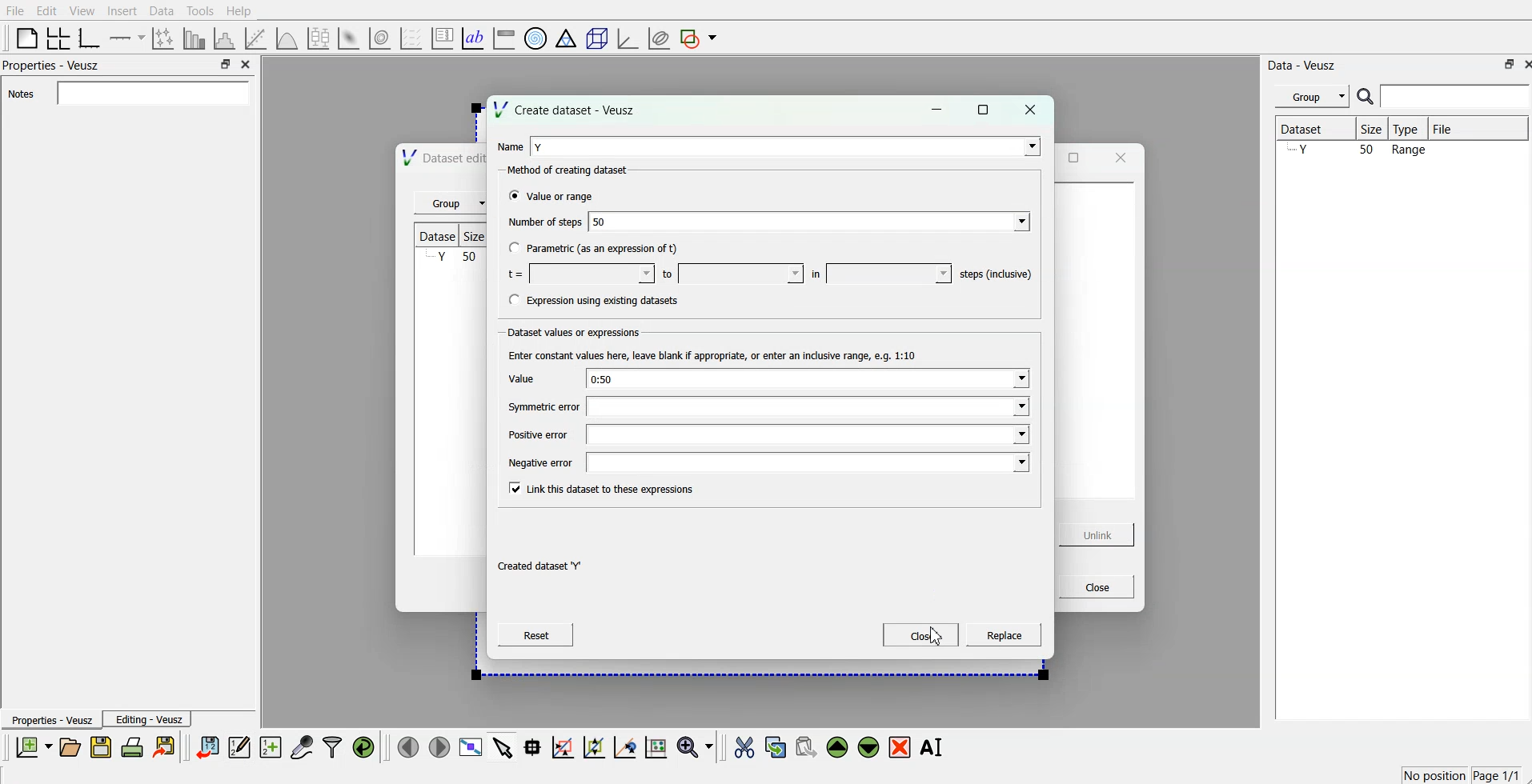  What do you see at coordinates (1448, 126) in the screenshot?
I see `File` at bounding box center [1448, 126].